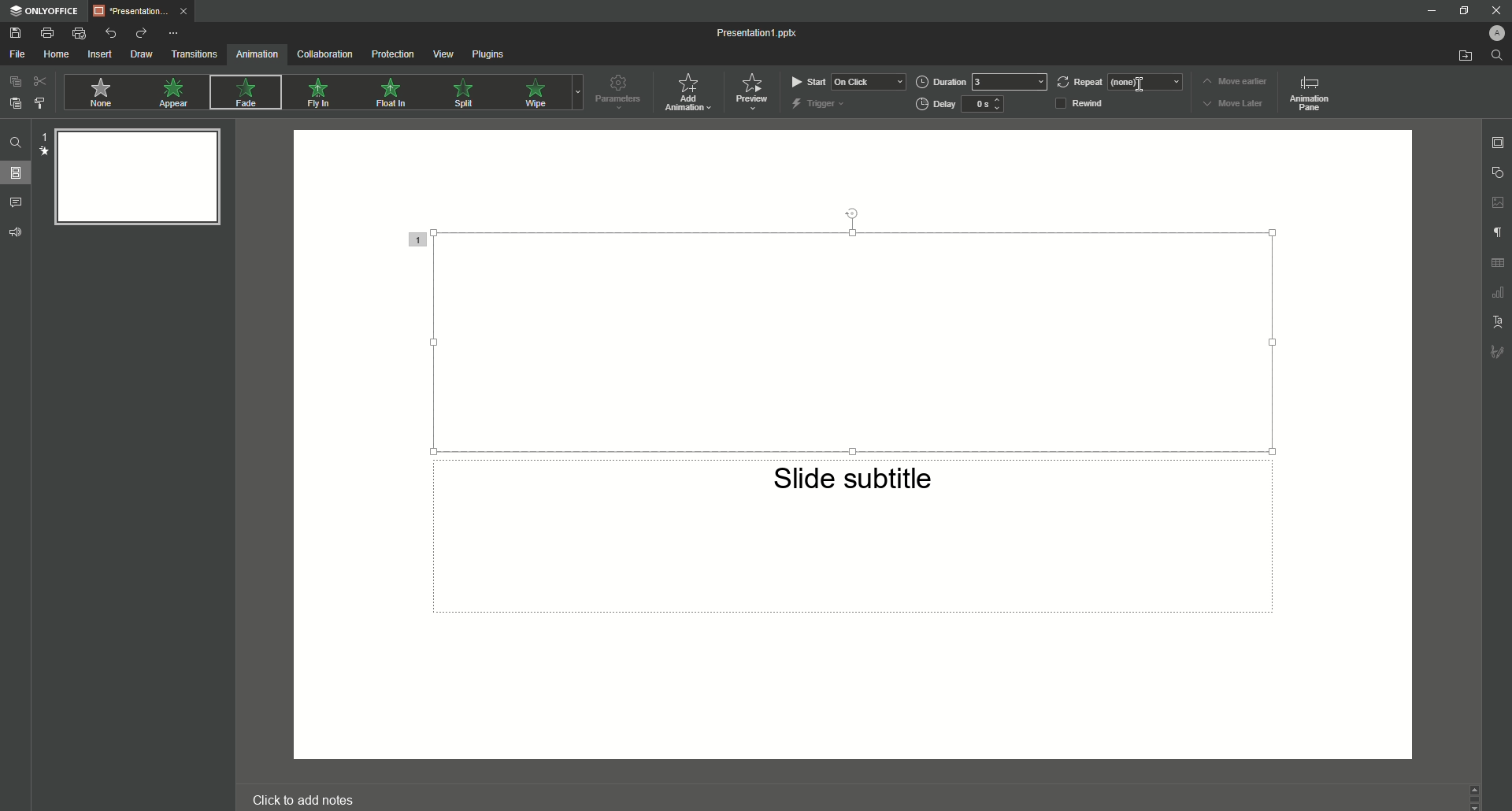  Describe the element at coordinates (20, 31) in the screenshot. I see `Save` at that location.